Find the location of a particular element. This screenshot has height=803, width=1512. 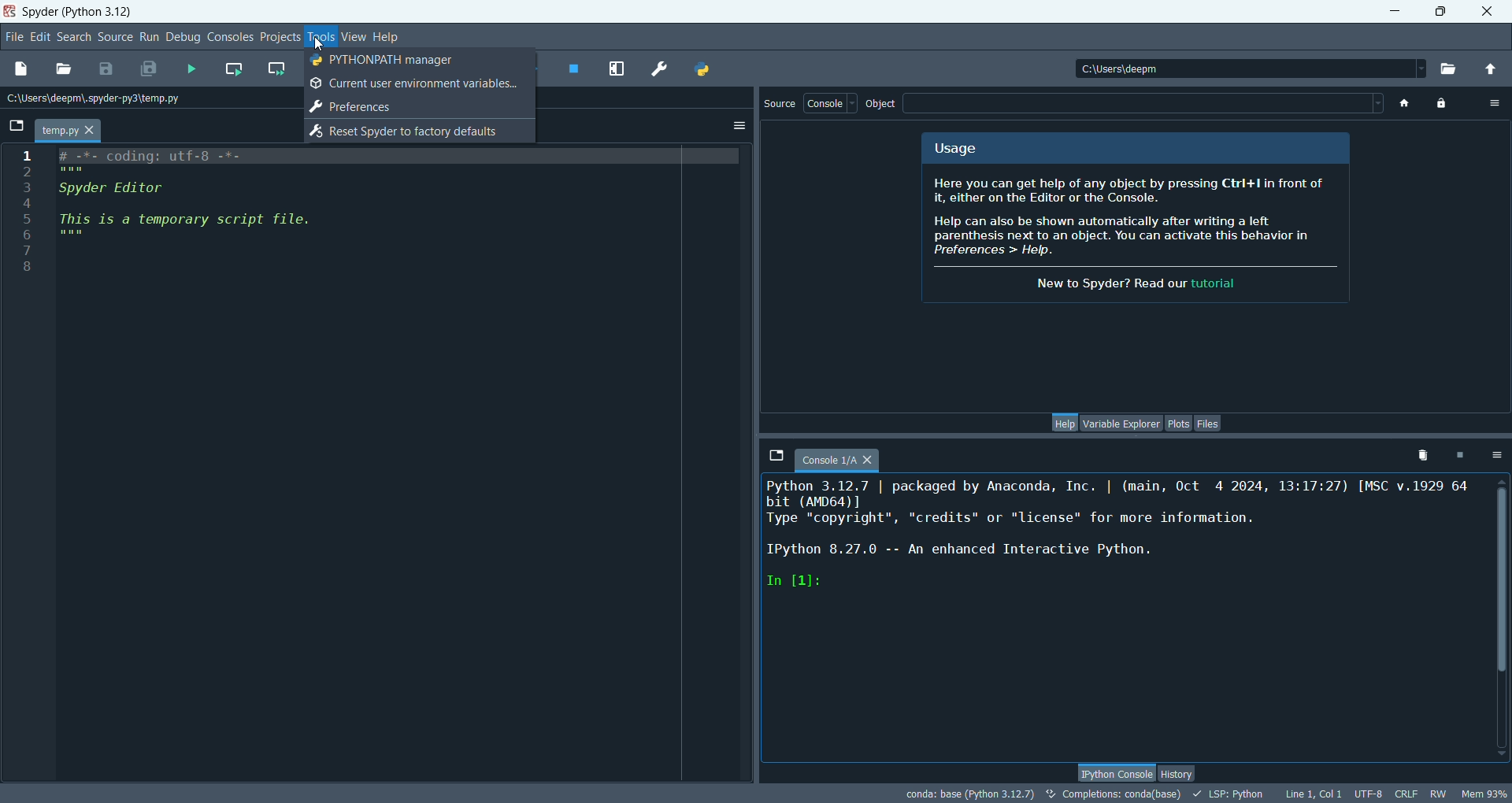

location is located at coordinates (100, 99).